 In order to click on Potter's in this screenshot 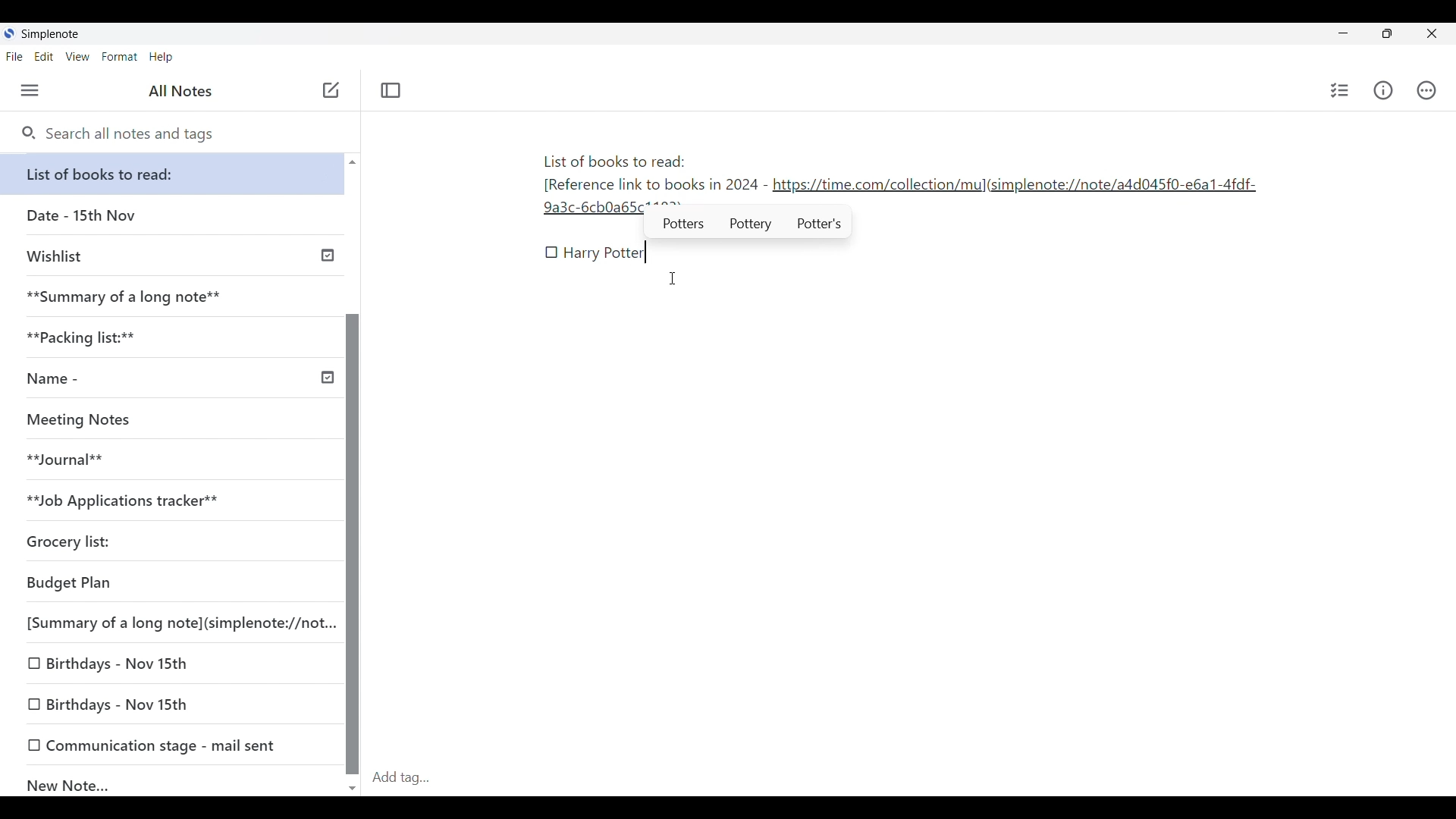, I will do `click(822, 225)`.